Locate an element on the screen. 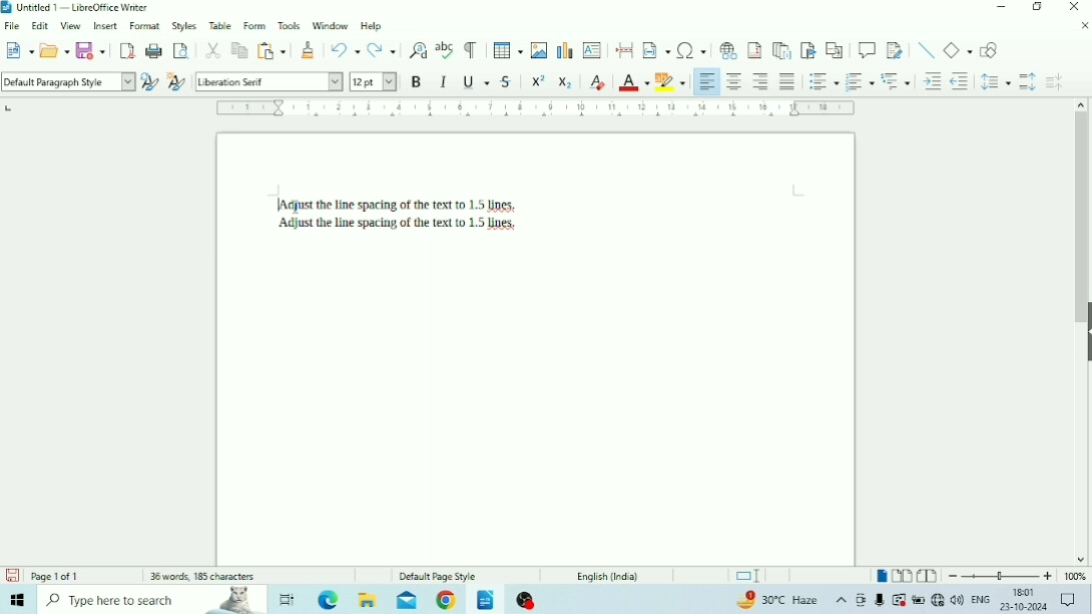  Date is located at coordinates (1024, 606).